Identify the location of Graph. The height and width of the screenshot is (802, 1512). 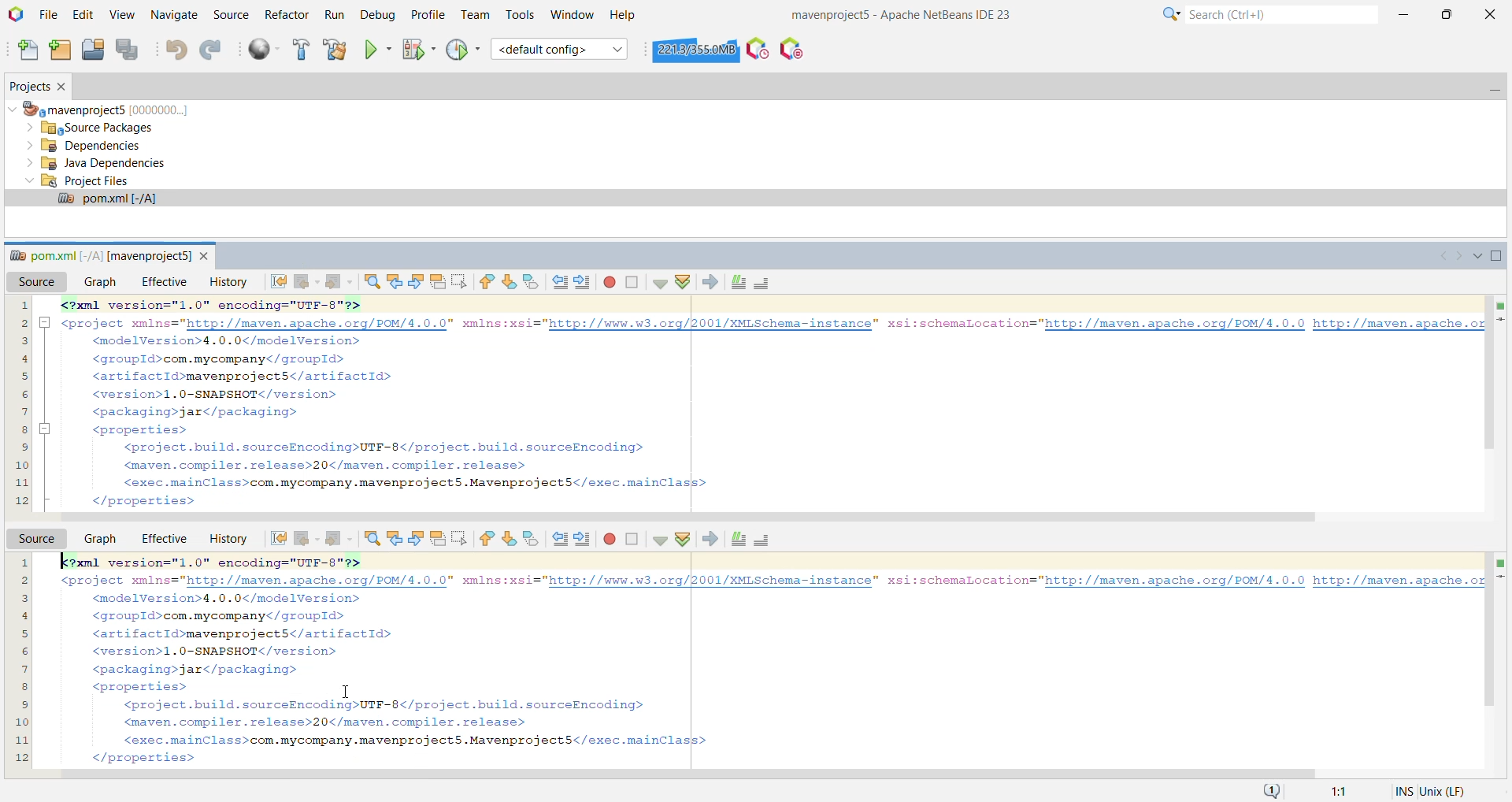
(99, 539).